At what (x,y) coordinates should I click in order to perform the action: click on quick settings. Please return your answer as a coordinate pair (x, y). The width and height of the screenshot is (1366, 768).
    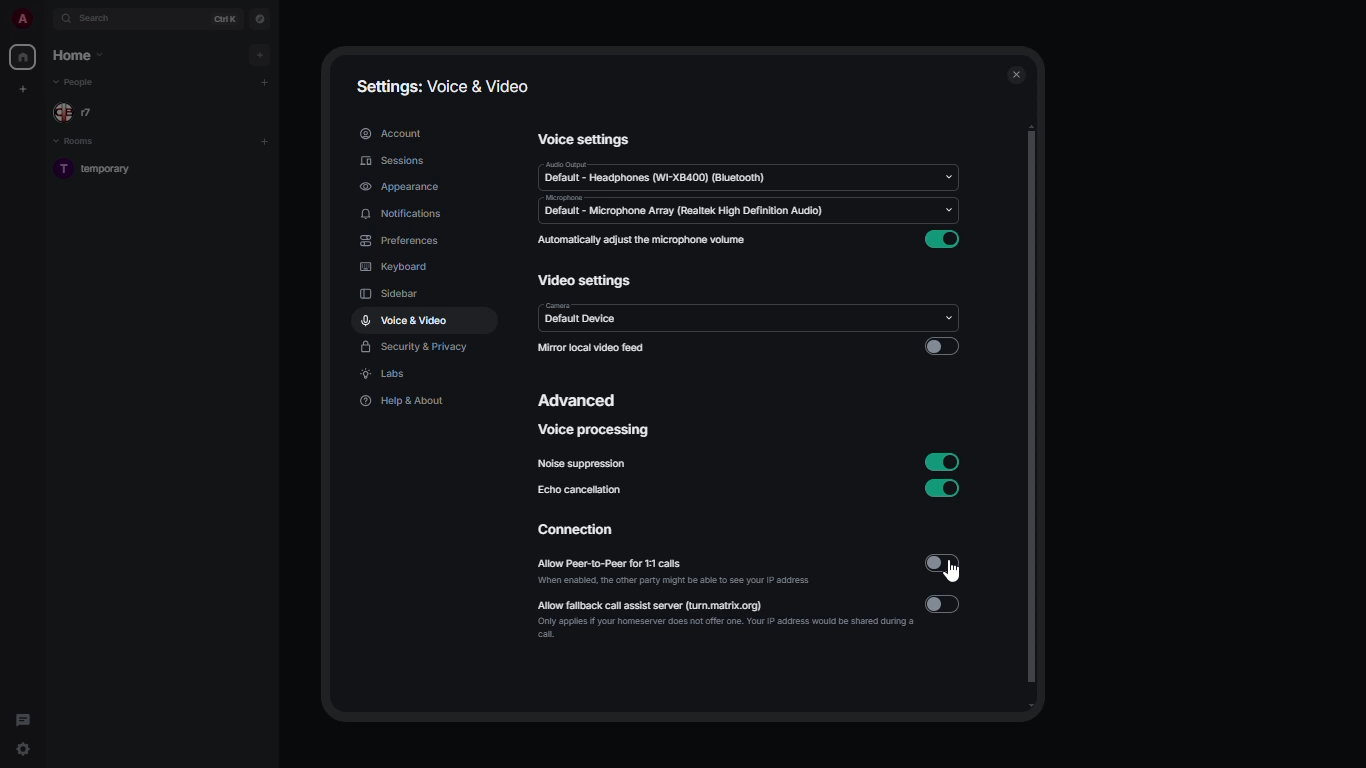
    Looking at the image, I should click on (22, 749).